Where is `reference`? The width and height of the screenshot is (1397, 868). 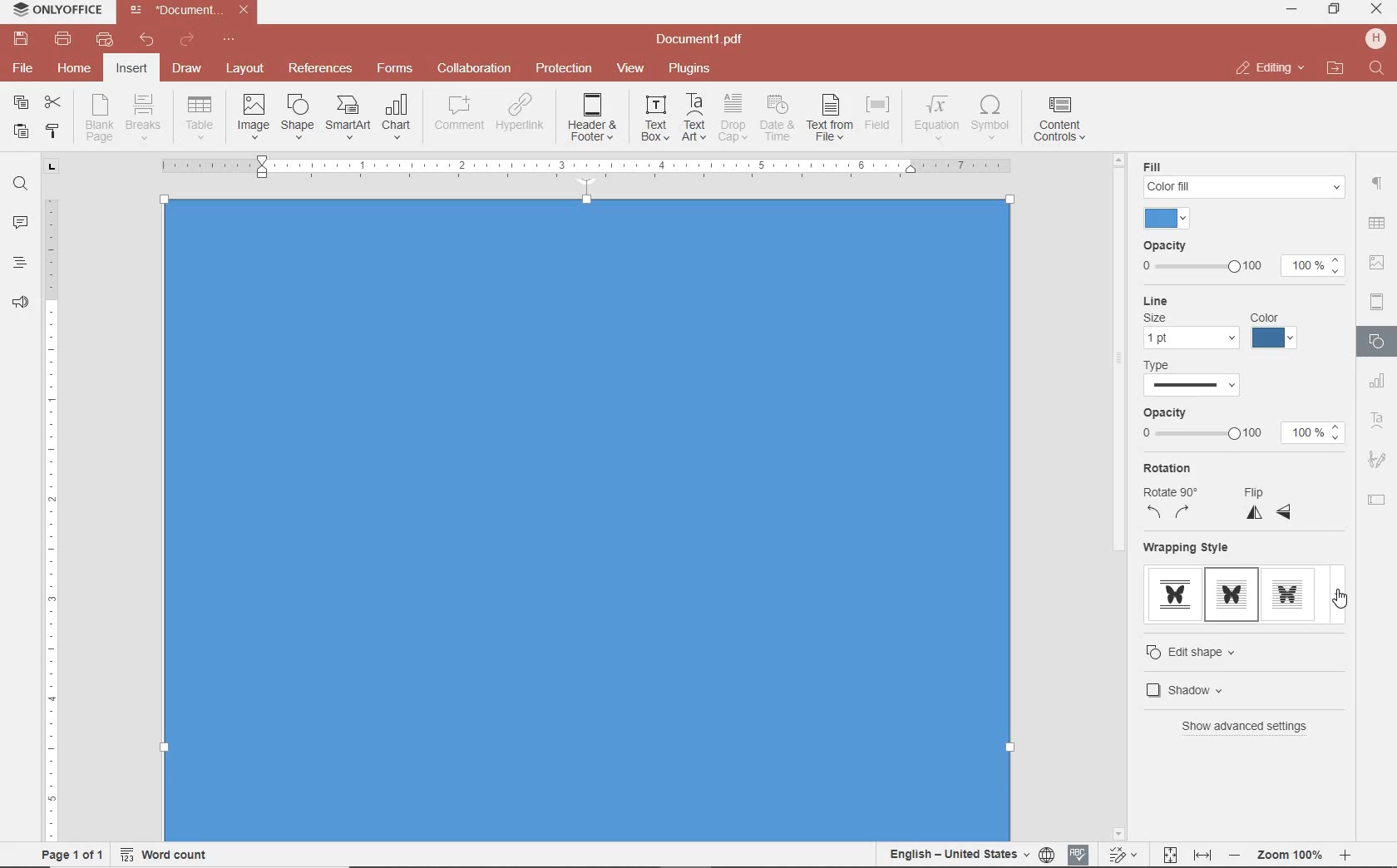 reference is located at coordinates (318, 69).